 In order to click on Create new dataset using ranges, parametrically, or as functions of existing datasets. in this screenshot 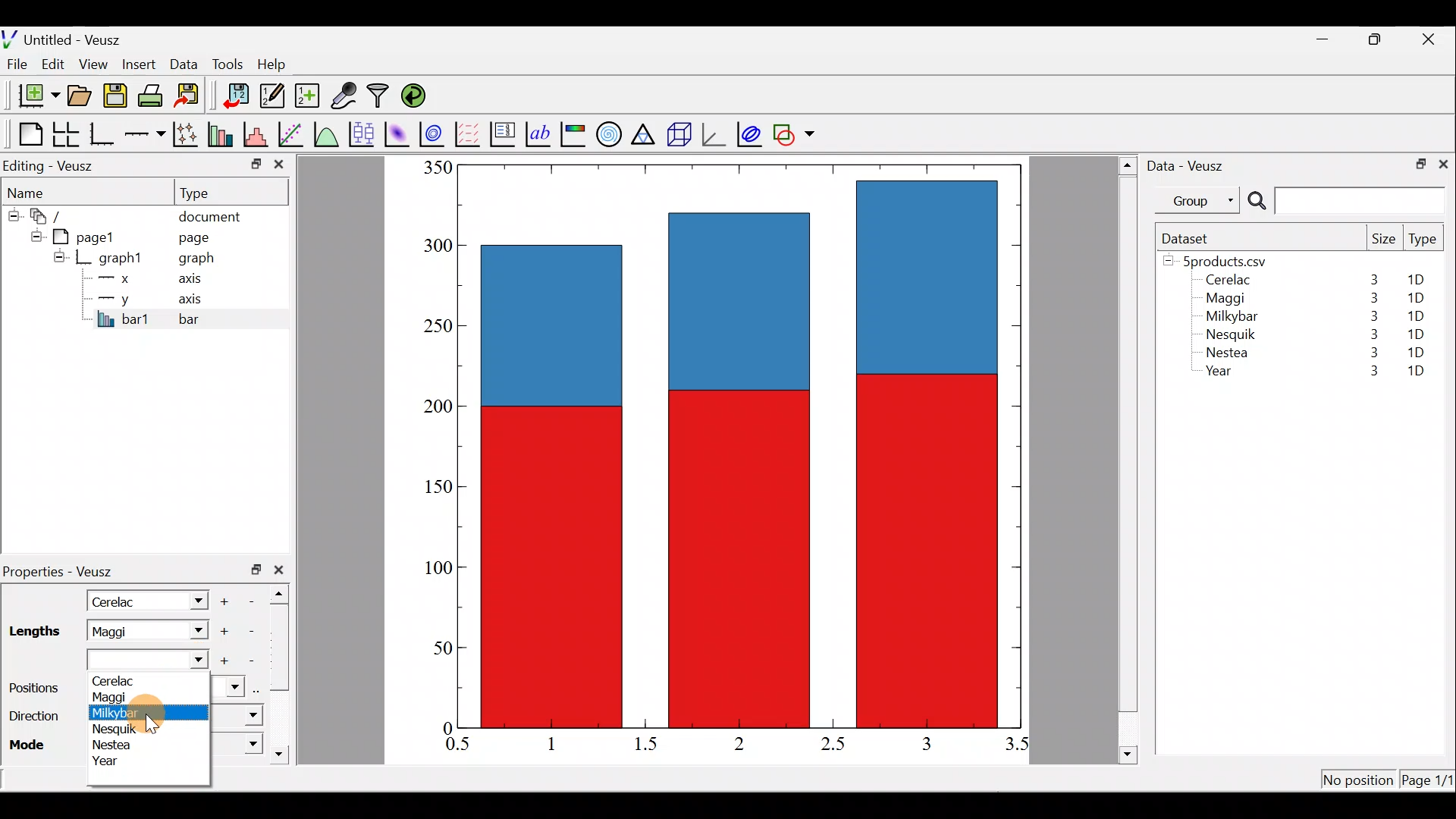, I will do `click(309, 96)`.